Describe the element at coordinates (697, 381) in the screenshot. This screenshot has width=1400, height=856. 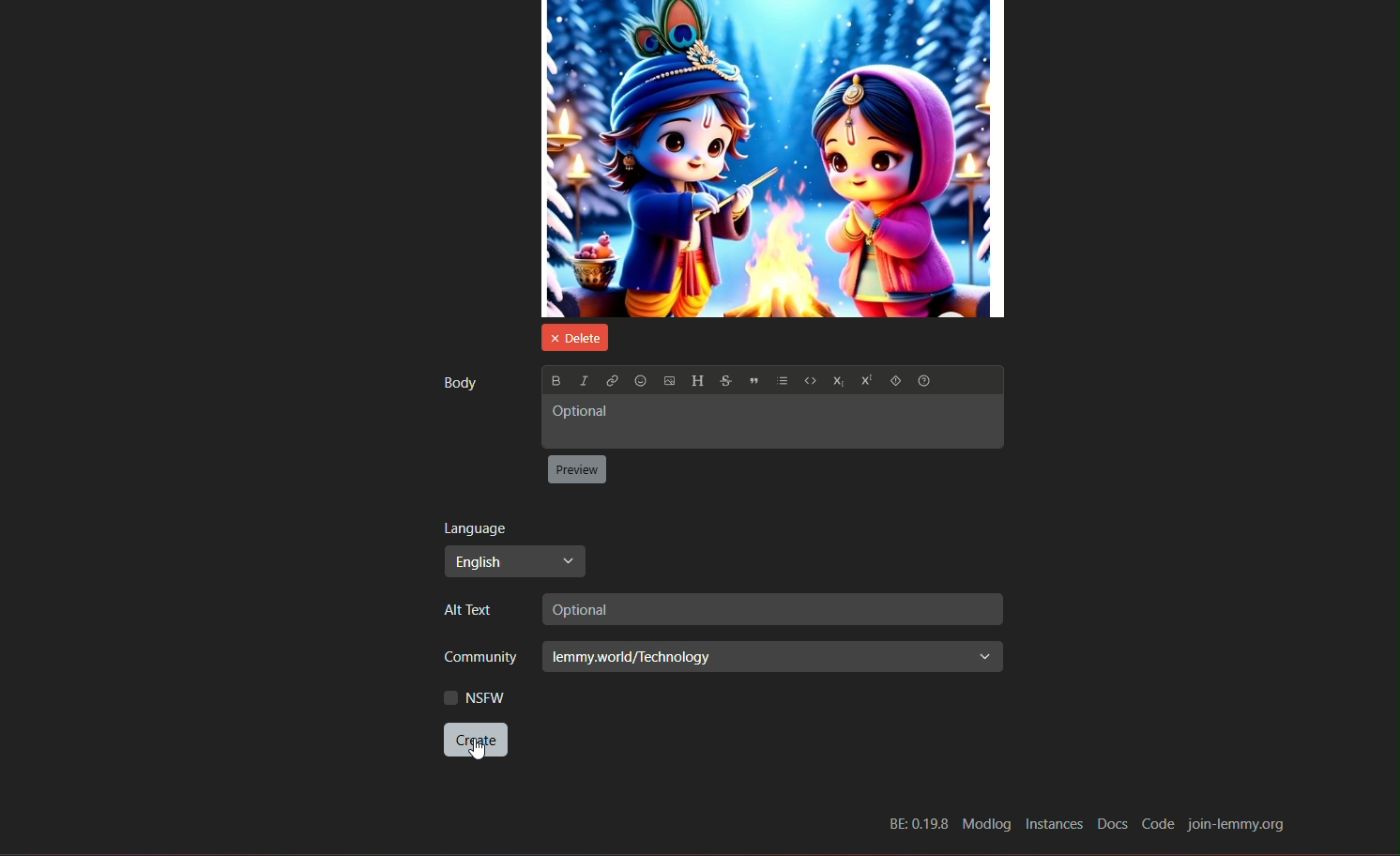
I see `header` at that location.